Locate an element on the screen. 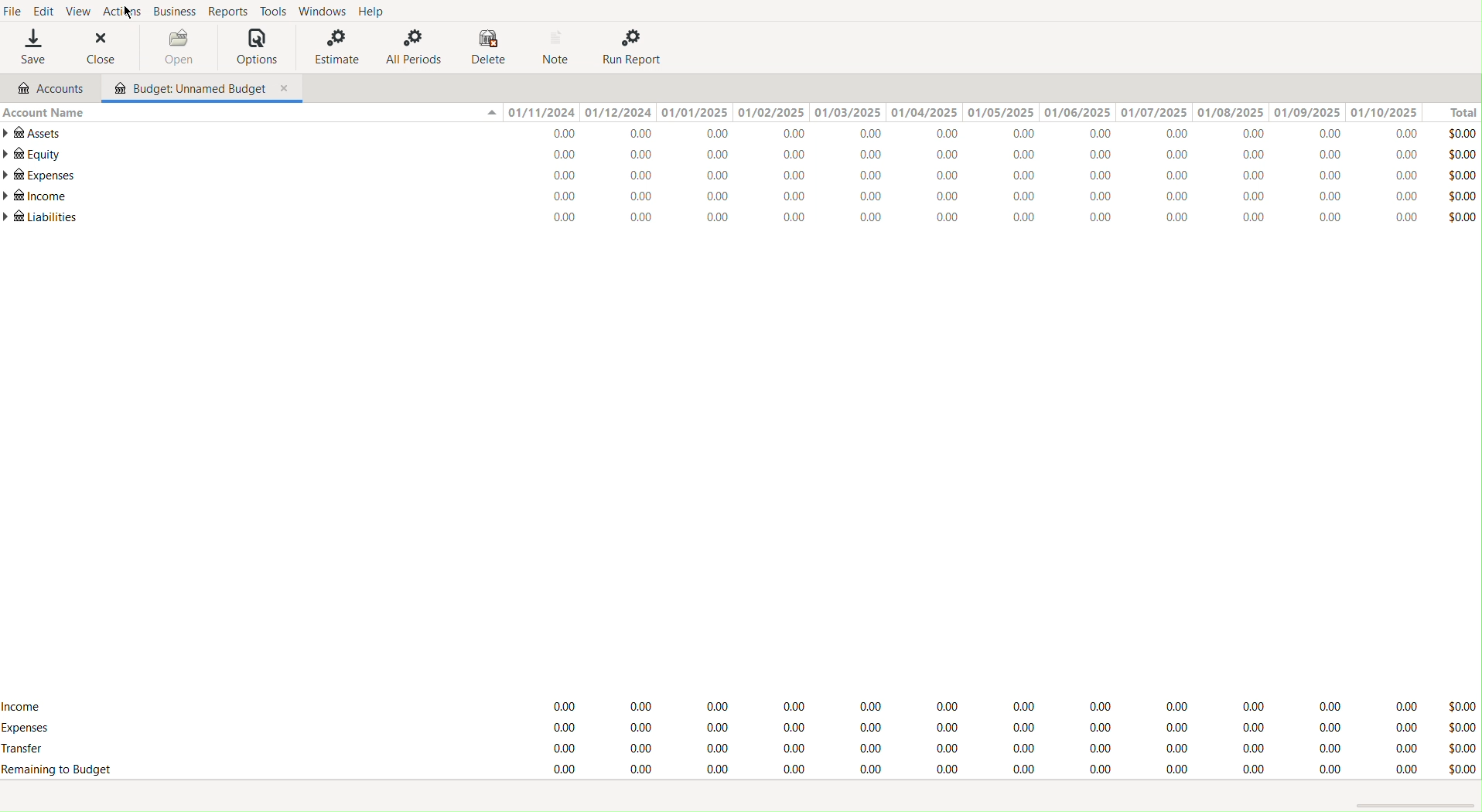  Income is located at coordinates (984, 198).